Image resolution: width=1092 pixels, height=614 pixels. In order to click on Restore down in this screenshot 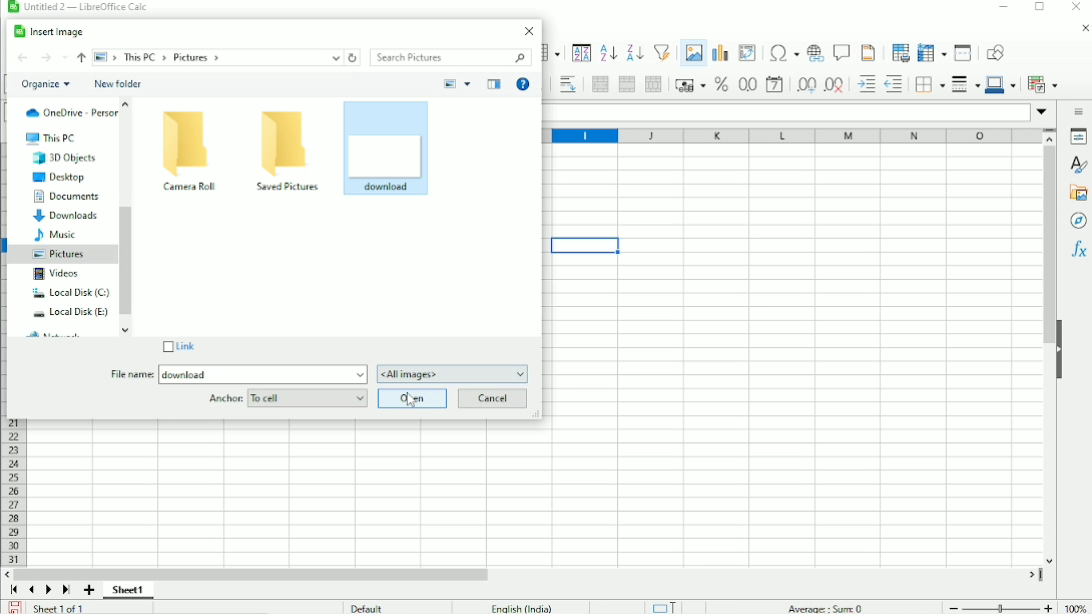, I will do `click(1039, 8)`.